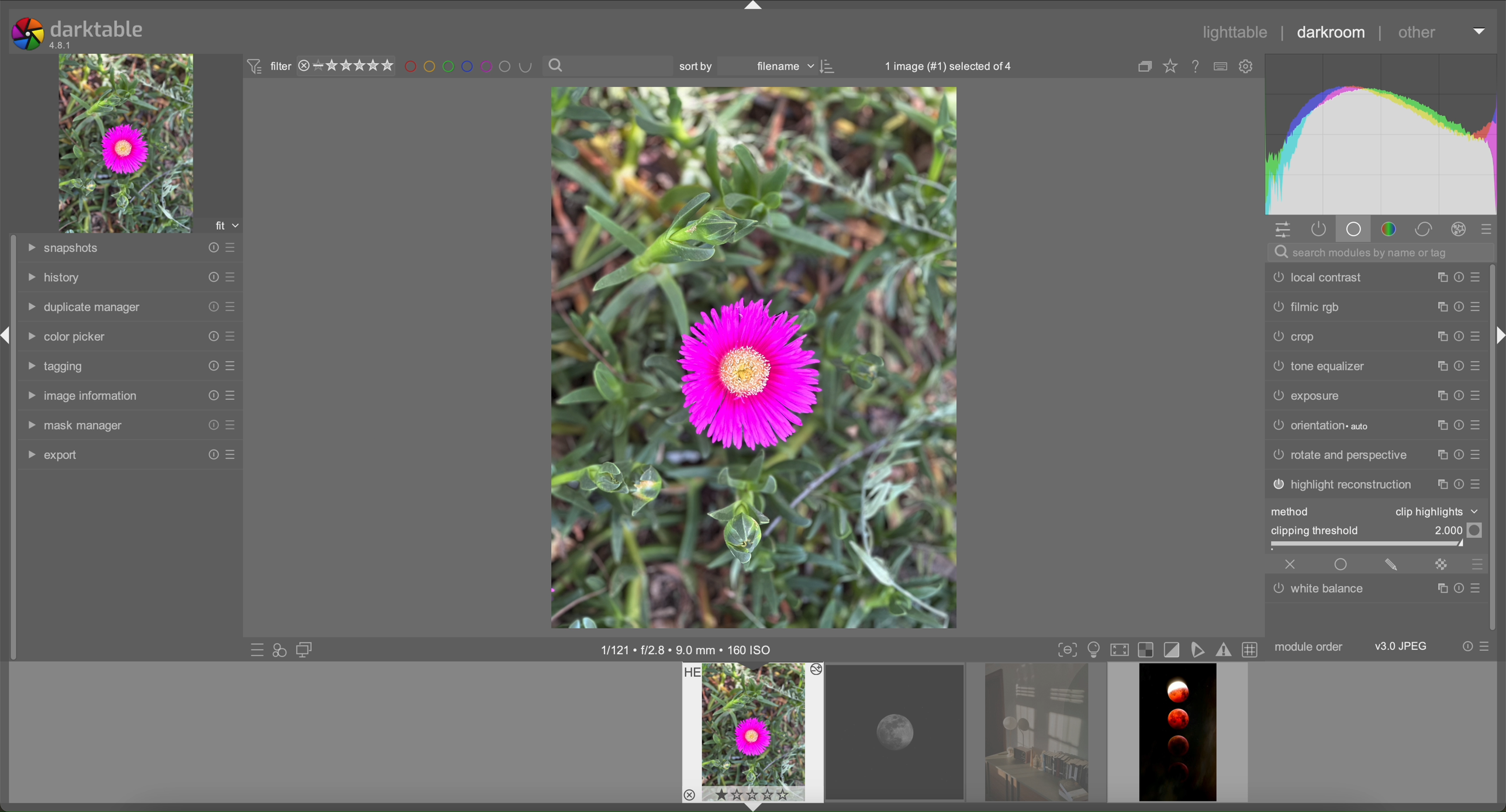 The image size is (1506, 812). I want to click on settings, so click(1246, 67).